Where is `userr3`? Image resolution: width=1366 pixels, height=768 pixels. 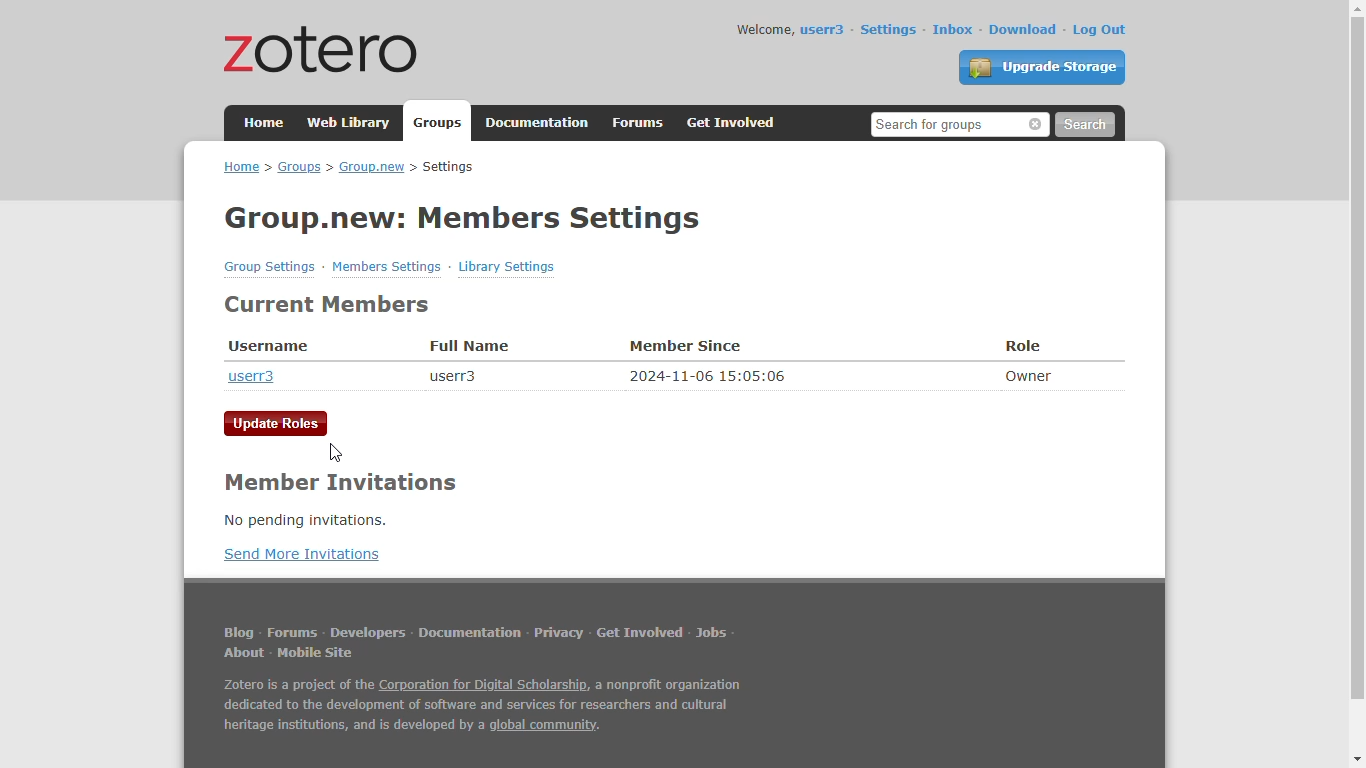
userr3 is located at coordinates (251, 376).